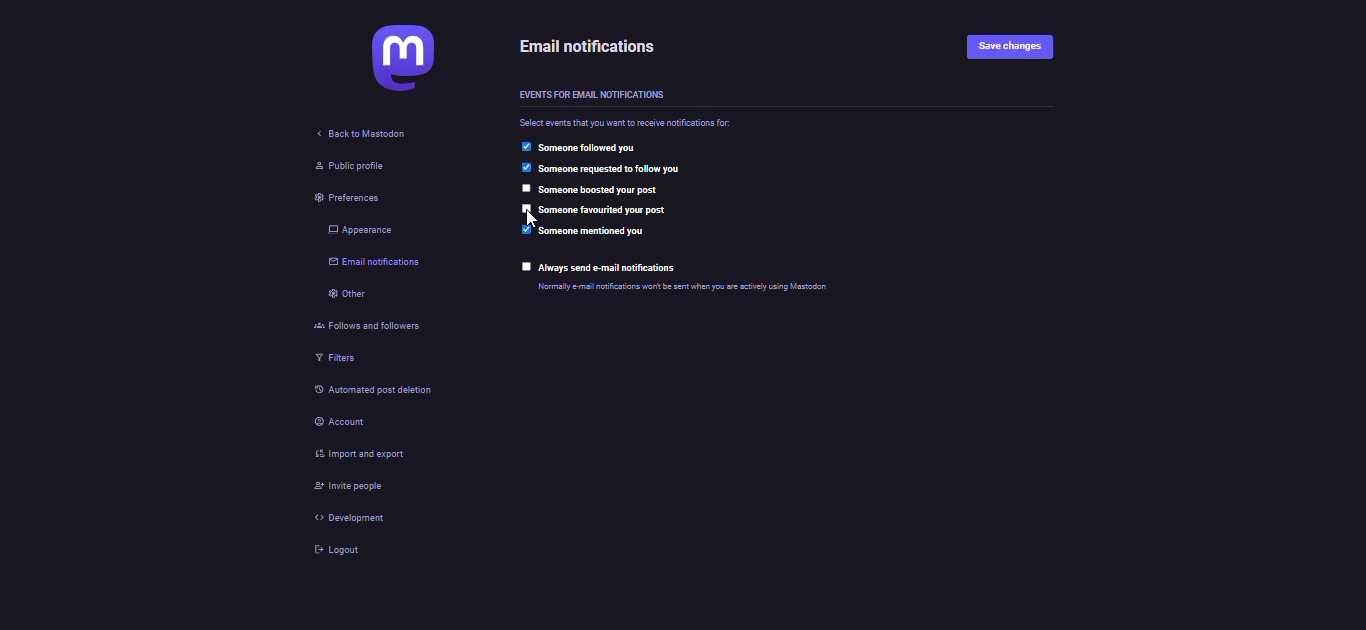 The width and height of the screenshot is (1366, 630). Describe the element at coordinates (335, 420) in the screenshot. I see `account` at that location.